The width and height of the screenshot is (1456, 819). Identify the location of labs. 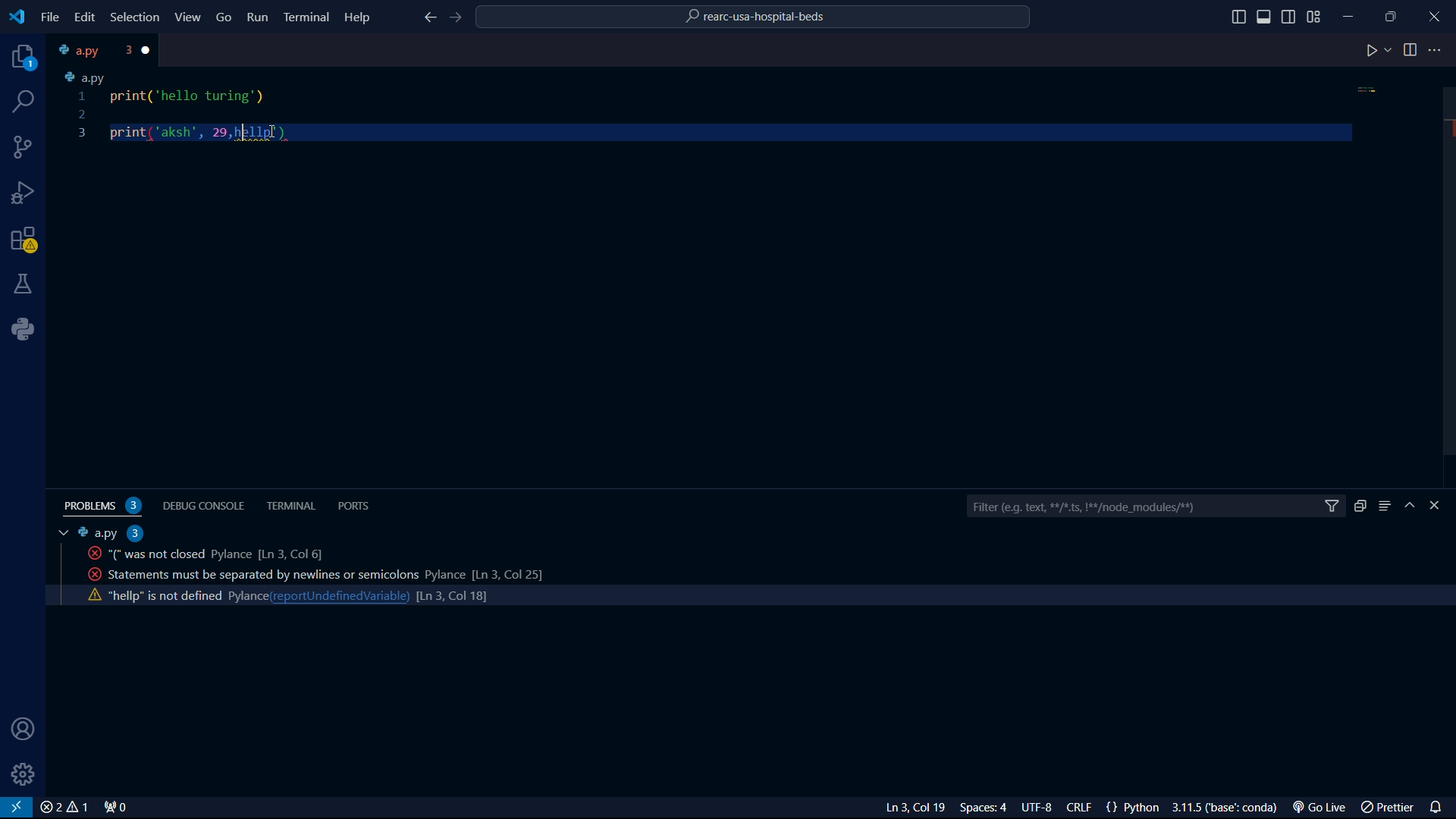
(24, 283).